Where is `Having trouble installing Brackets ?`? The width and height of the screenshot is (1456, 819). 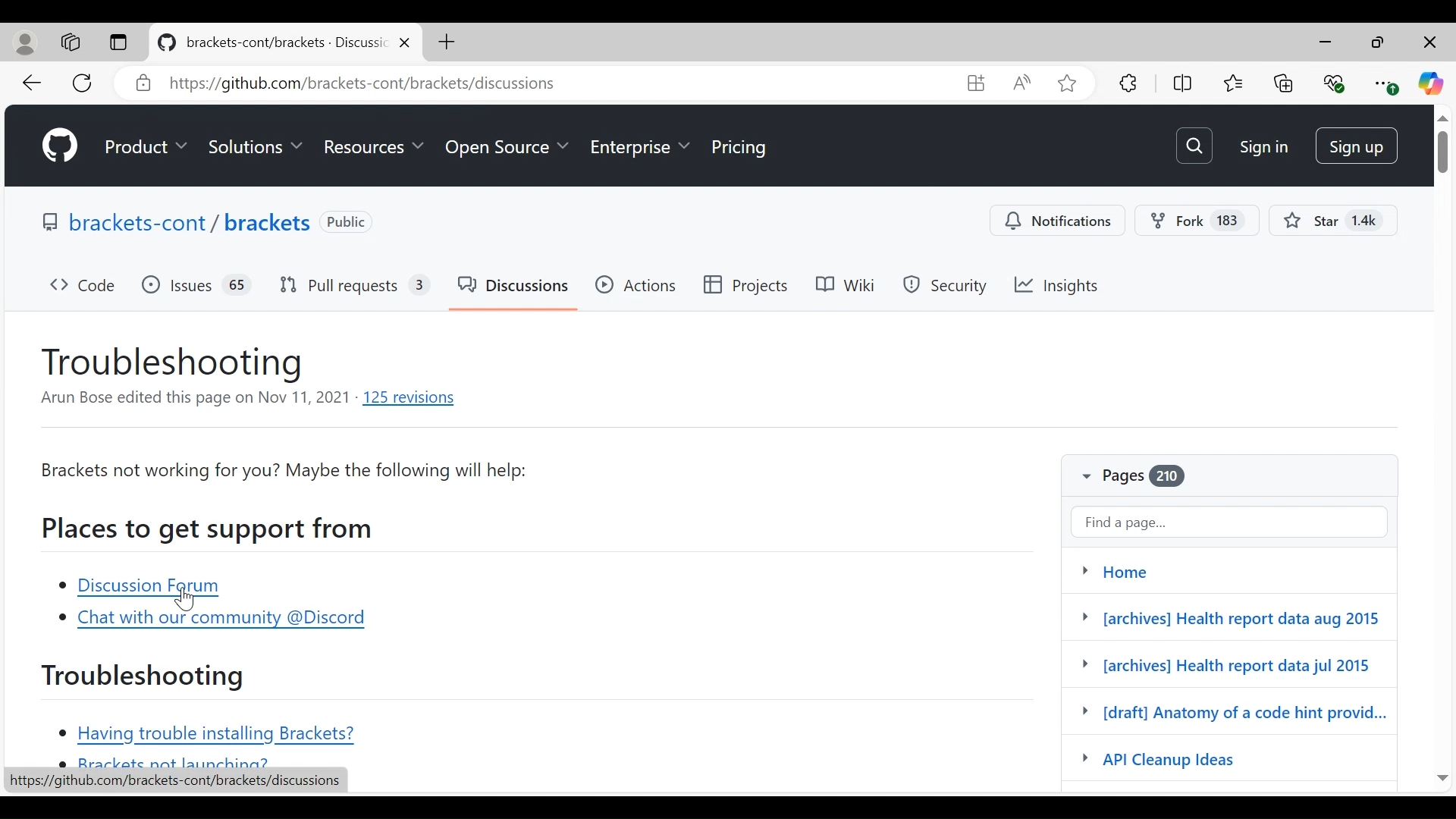
Having trouble installing Brackets ? is located at coordinates (211, 736).